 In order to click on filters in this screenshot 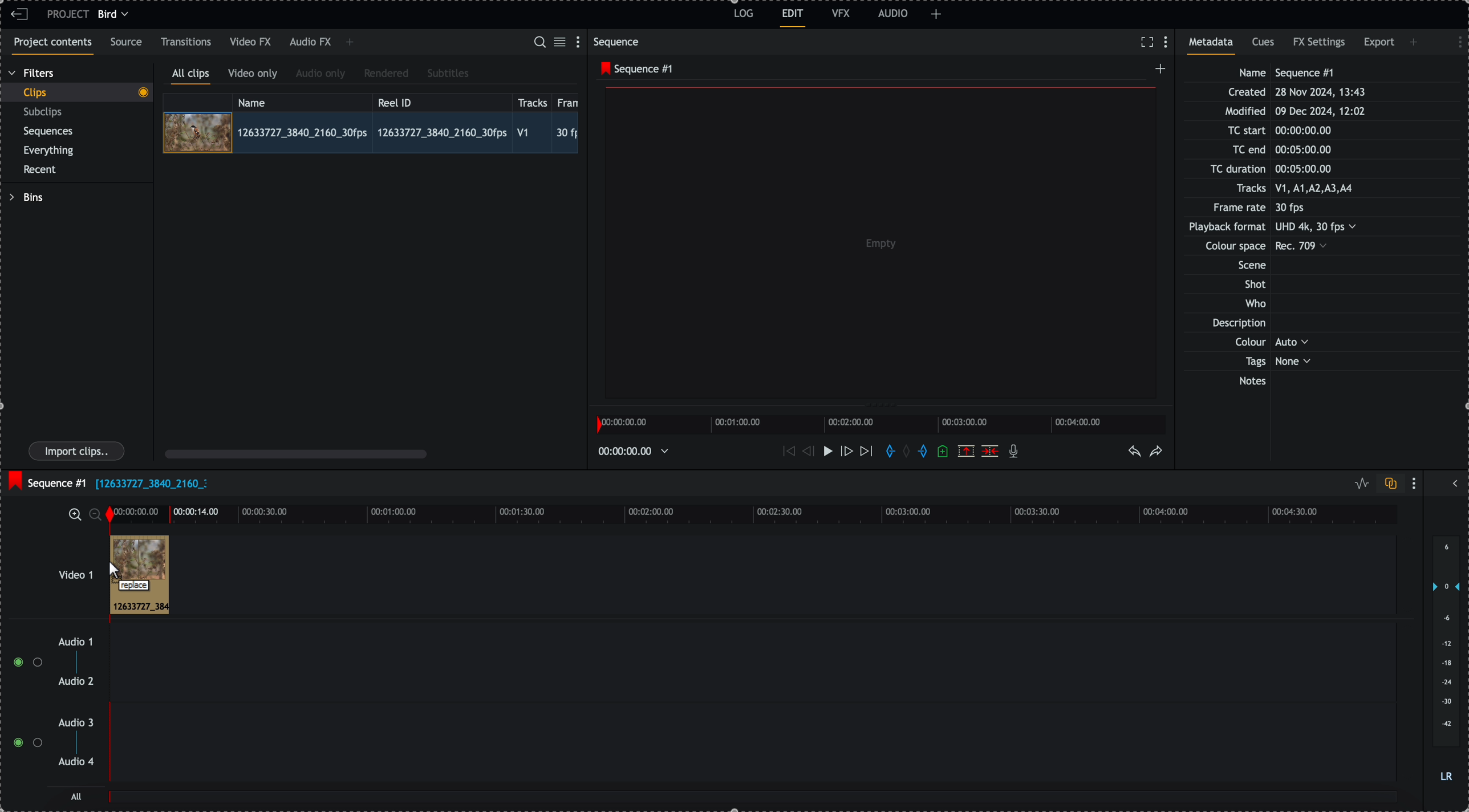, I will do `click(33, 74)`.